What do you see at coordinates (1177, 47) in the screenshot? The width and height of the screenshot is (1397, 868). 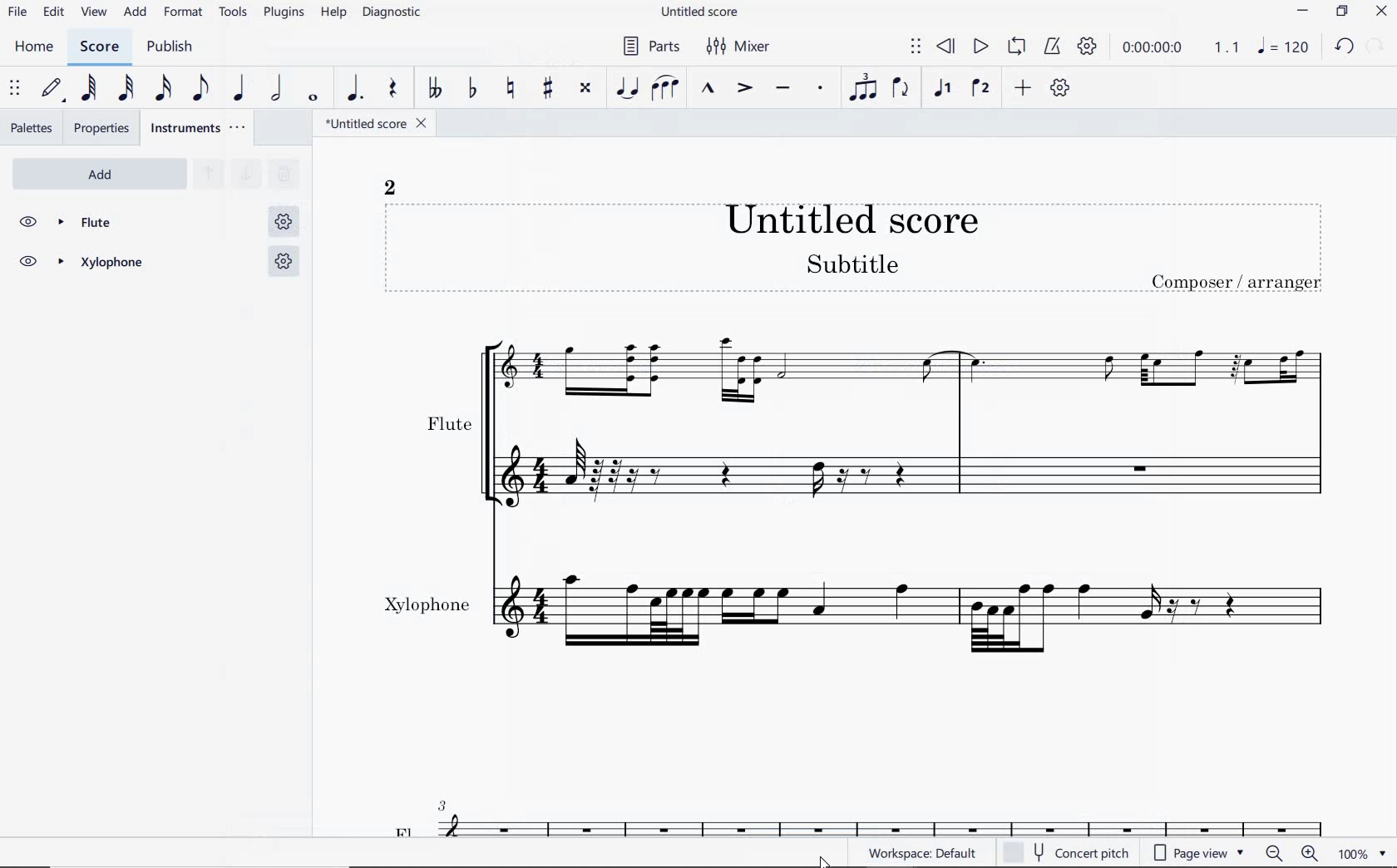 I see `PLAY TIME` at bounding box center [1177, 47].